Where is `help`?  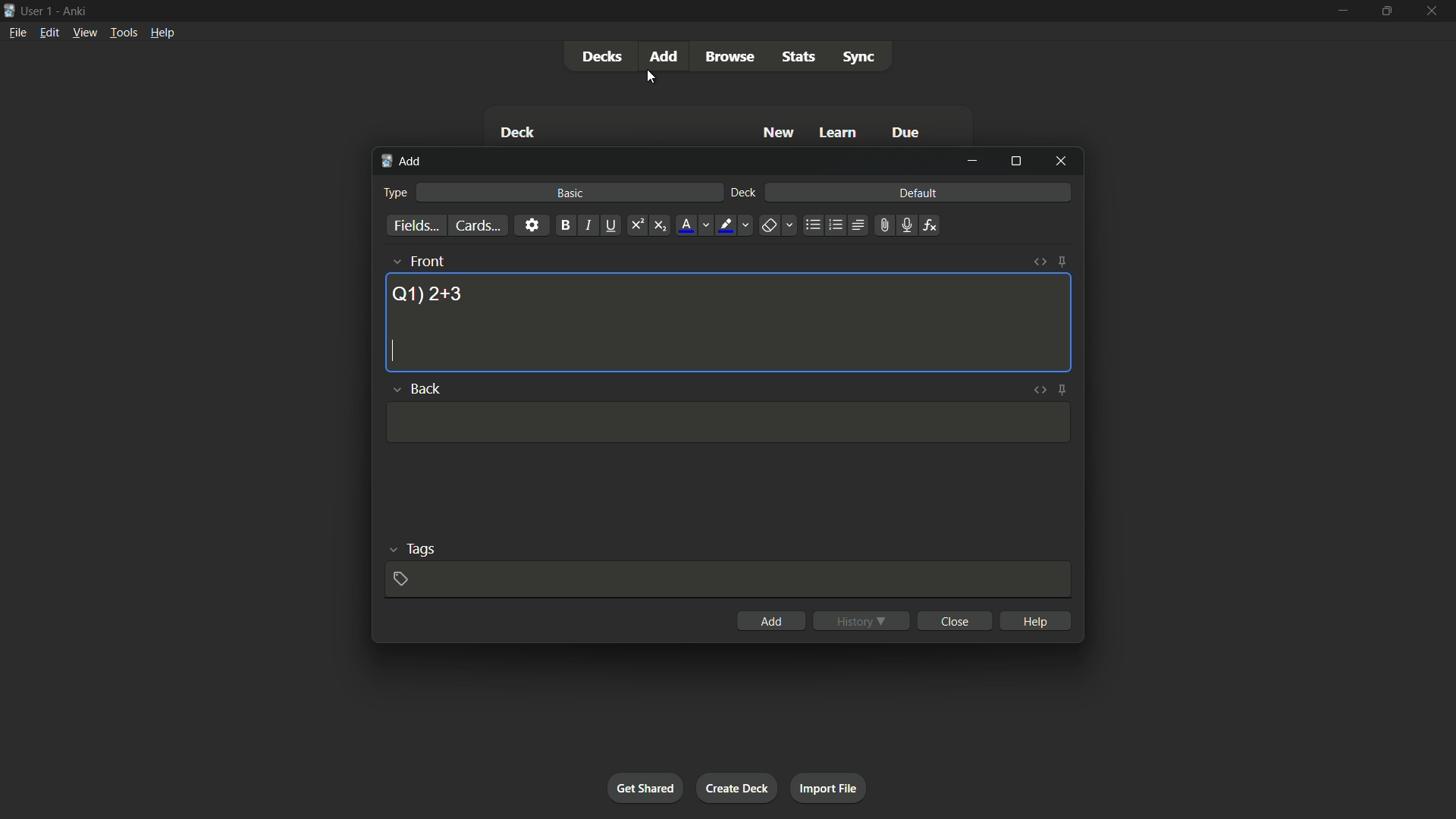
help is located at coordinates (1037, 620).